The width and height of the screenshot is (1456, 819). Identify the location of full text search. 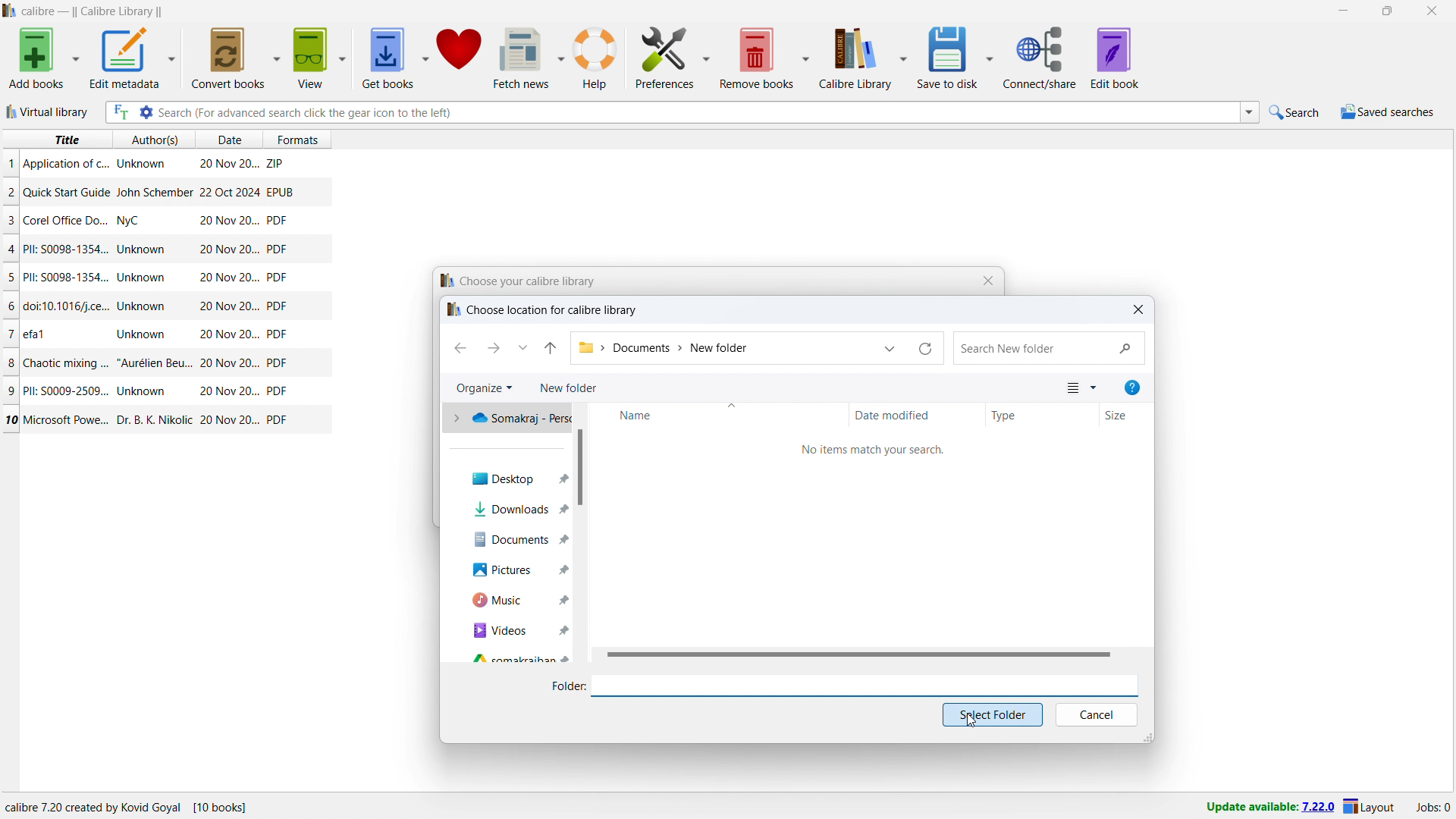
(119, 112).